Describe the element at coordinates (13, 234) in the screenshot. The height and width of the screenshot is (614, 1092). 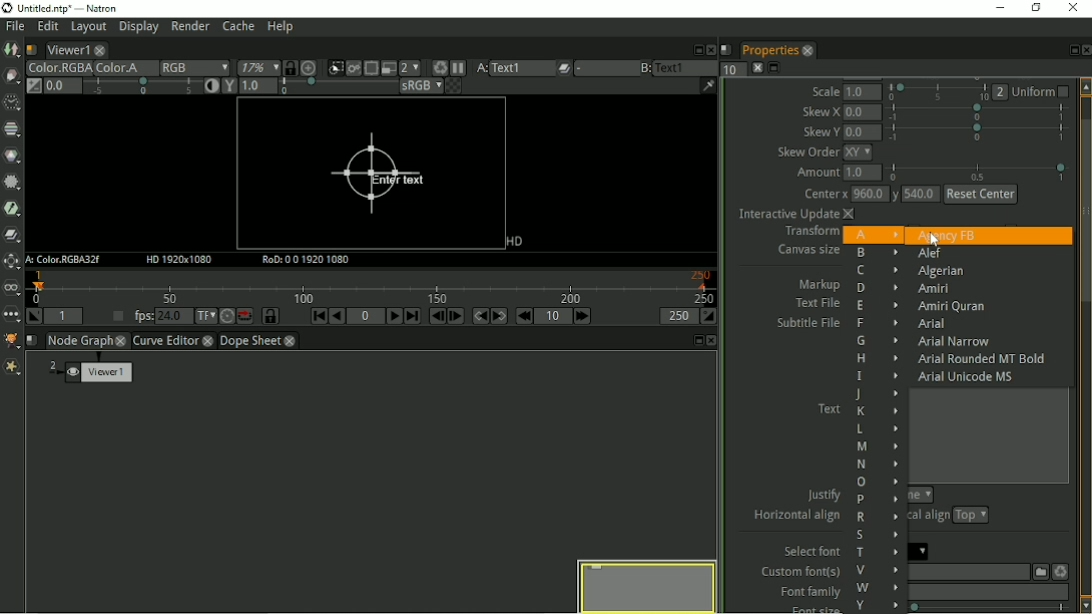
I see `Merge` at that location.